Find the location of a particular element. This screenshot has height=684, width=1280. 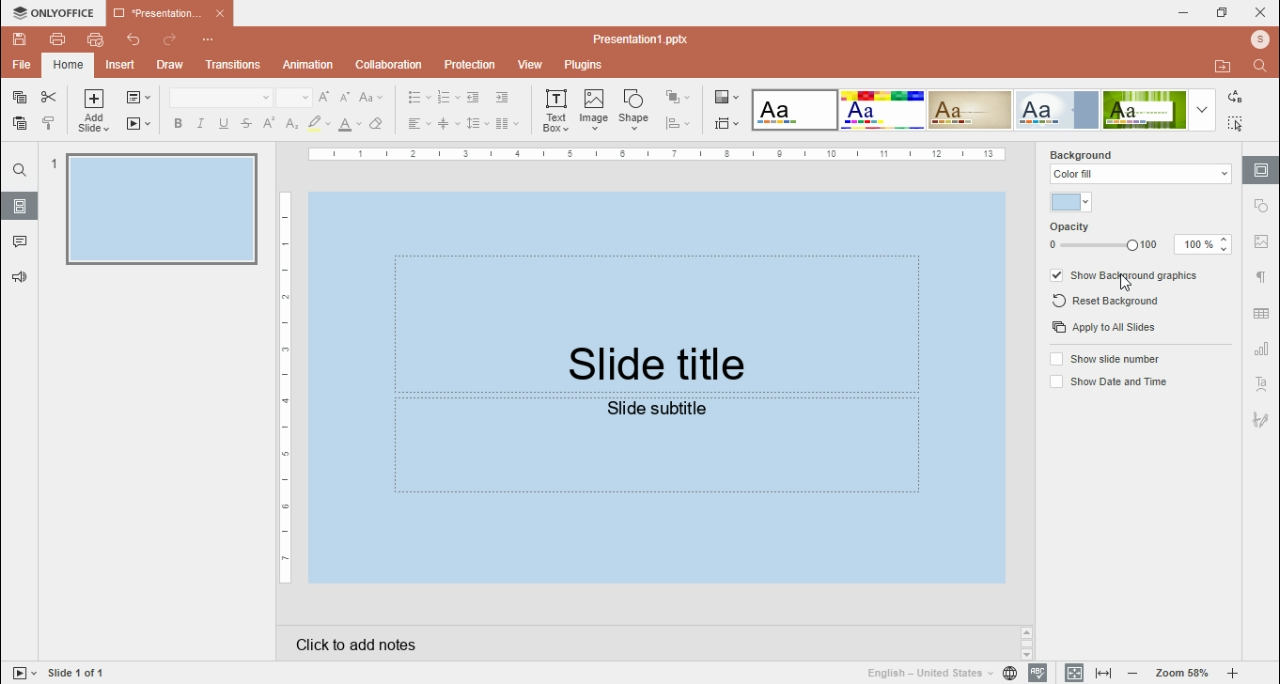

insert columns is located at coordinates (507, 124).